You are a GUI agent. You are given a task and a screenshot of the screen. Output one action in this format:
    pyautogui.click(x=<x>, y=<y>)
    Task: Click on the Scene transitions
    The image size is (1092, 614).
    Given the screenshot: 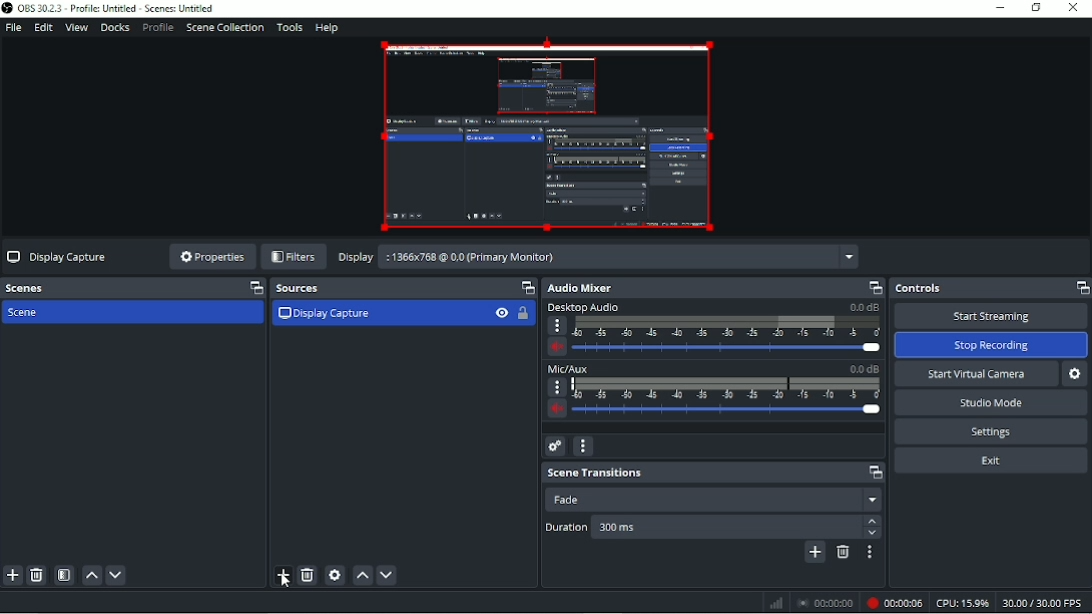 What is the action you would take?
    pyautogui.click(x=715, y=473)
    